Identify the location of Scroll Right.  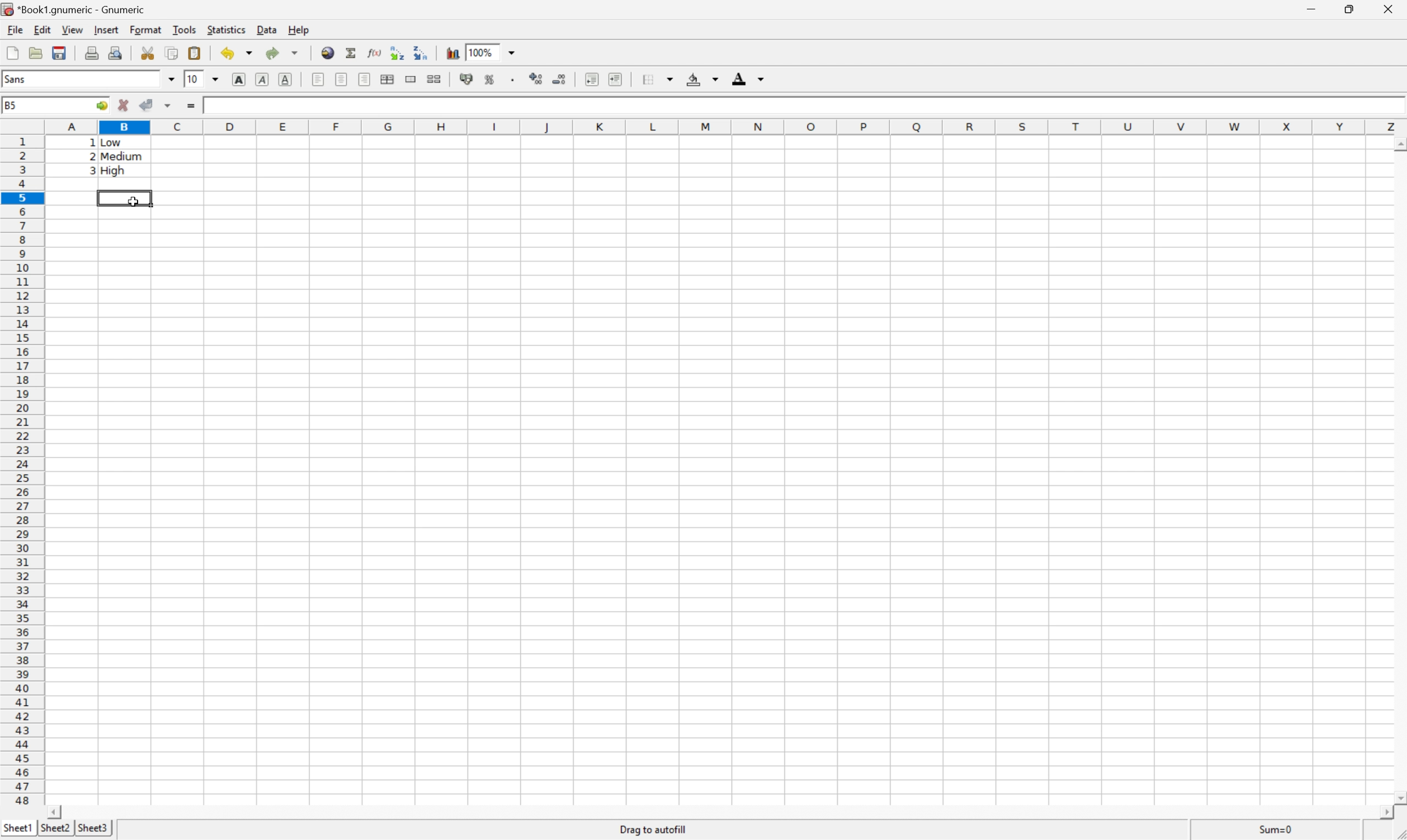
(1382, 811).